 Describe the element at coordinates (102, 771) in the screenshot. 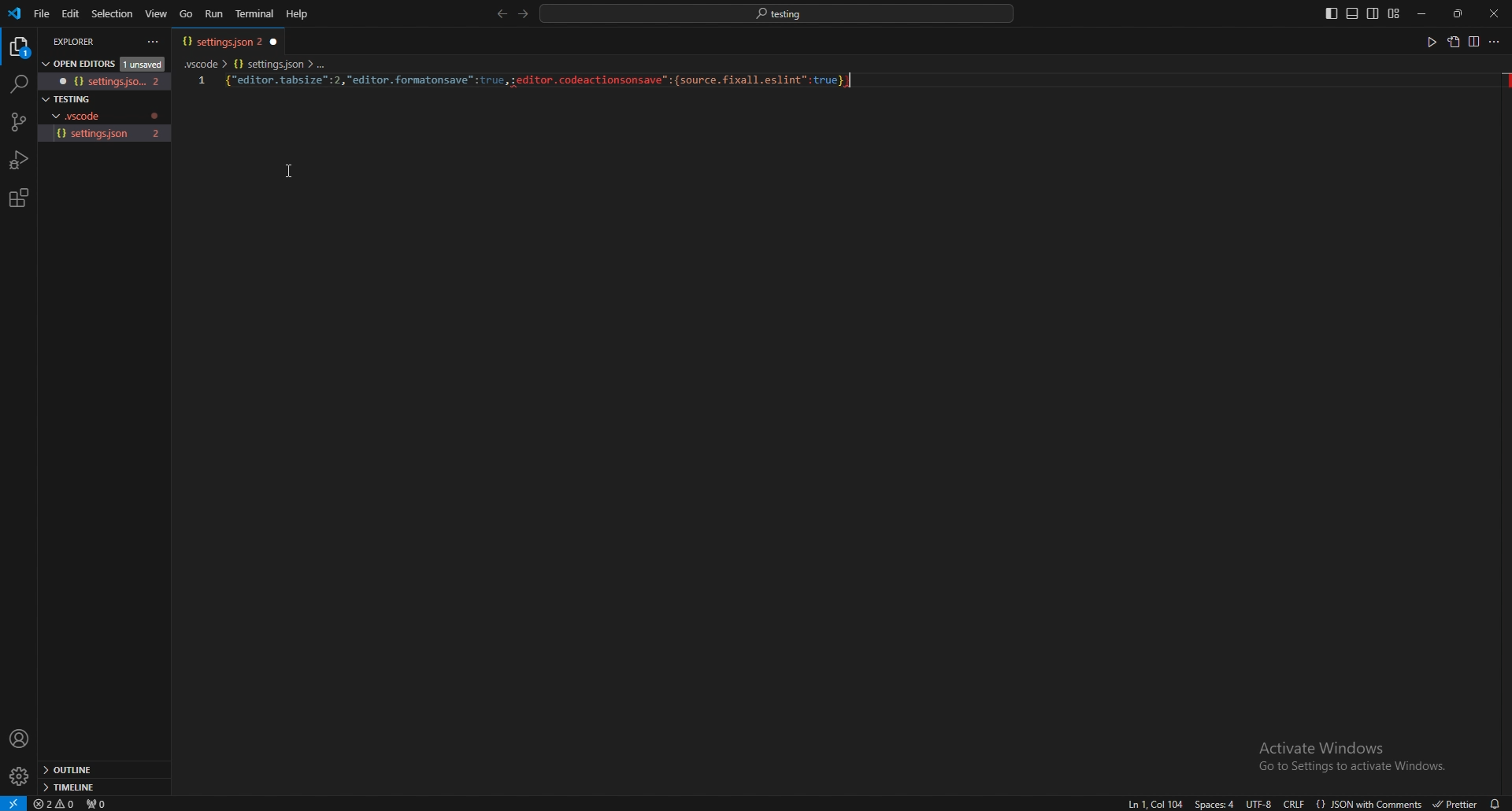

I see `outline` at that location.